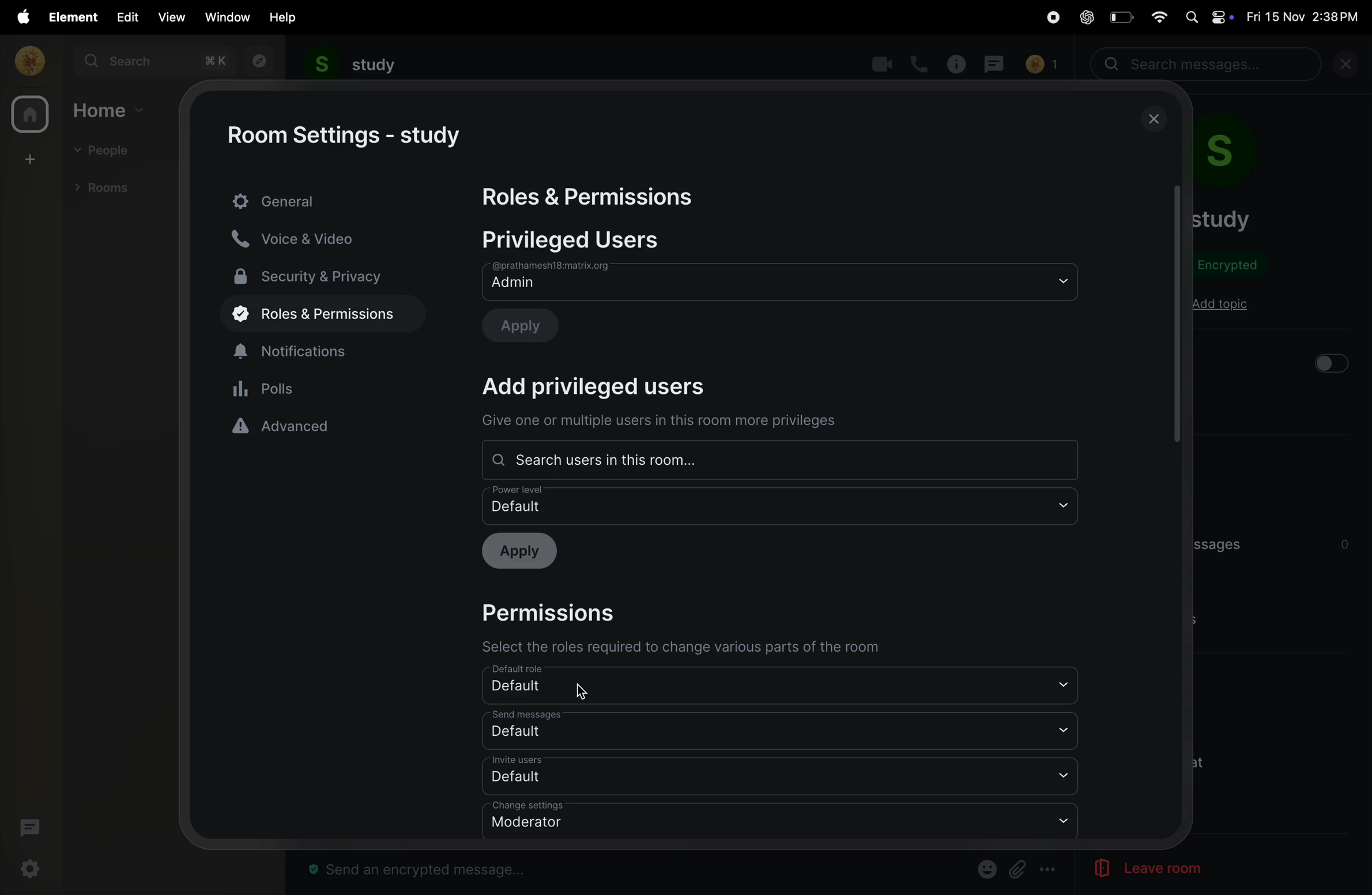 The width and height of the screenshot is (1372, 895). I want to click on button, so click(1330, 363).